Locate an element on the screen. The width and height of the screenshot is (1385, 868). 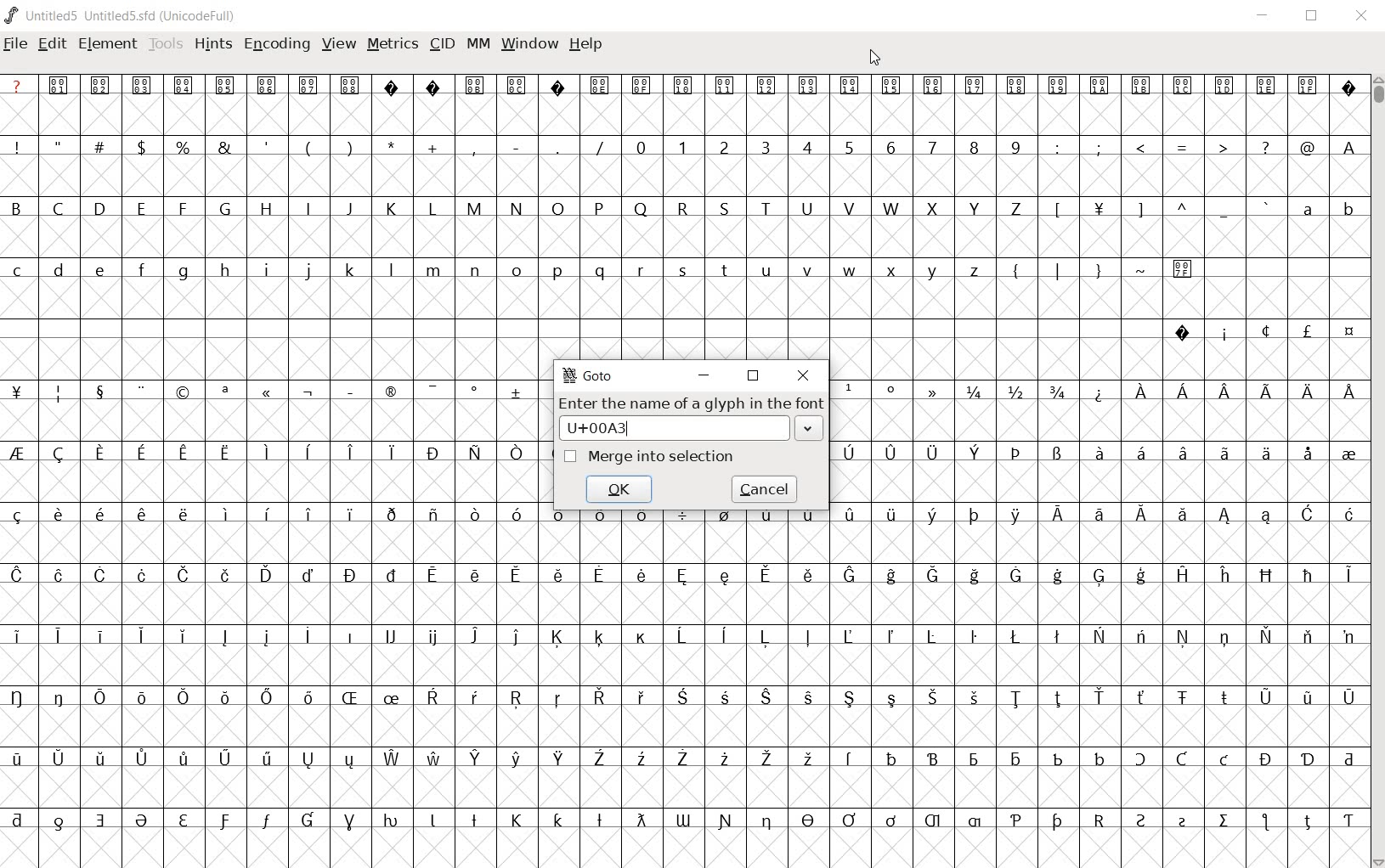
Symbol is located at coordinates (1016, 636).